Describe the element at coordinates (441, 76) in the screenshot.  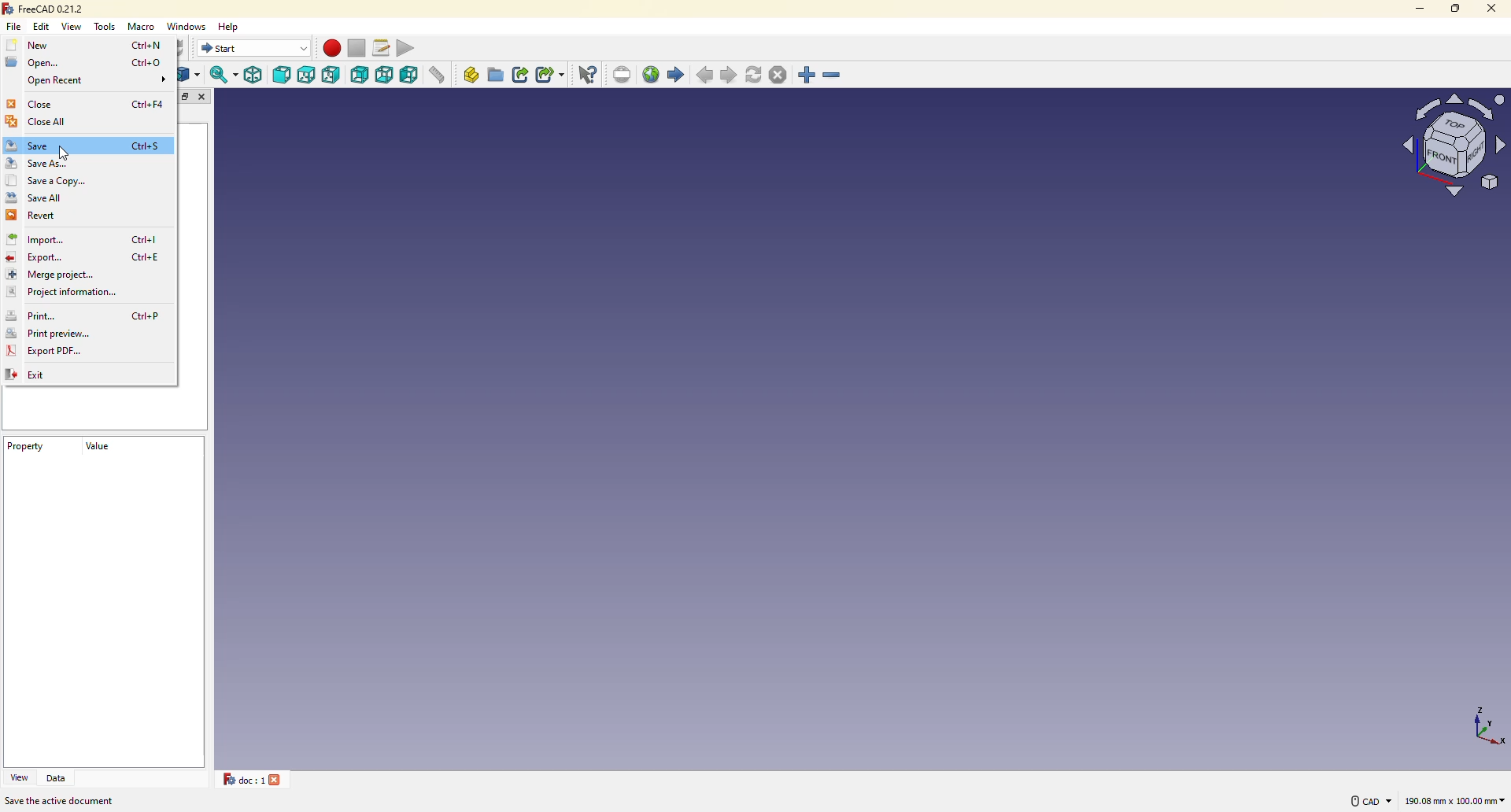
I see `measure distance` at that location.